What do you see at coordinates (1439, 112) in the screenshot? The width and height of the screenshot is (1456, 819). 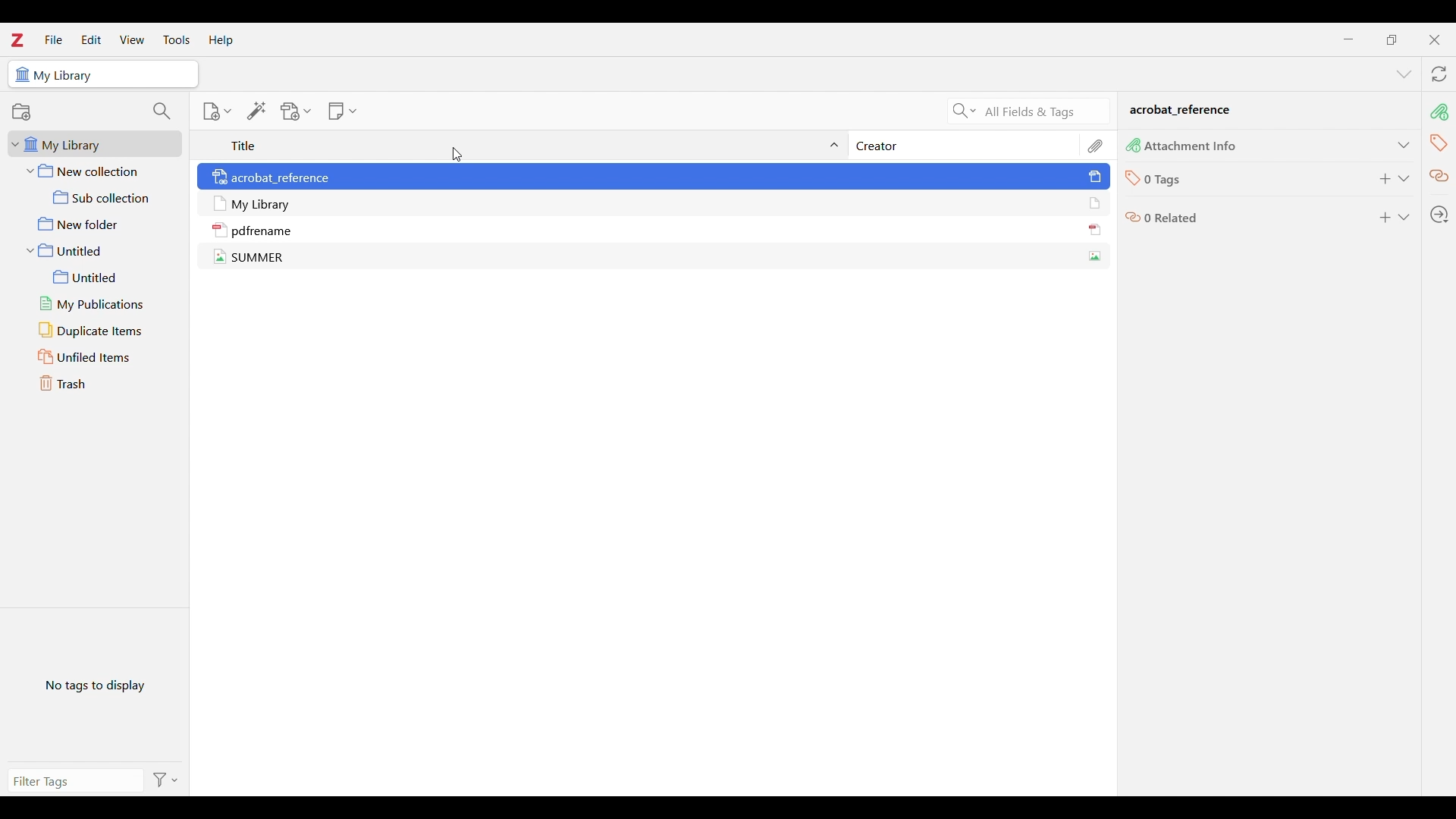 I see `Attachment info` at bounding box center [1439, 112].